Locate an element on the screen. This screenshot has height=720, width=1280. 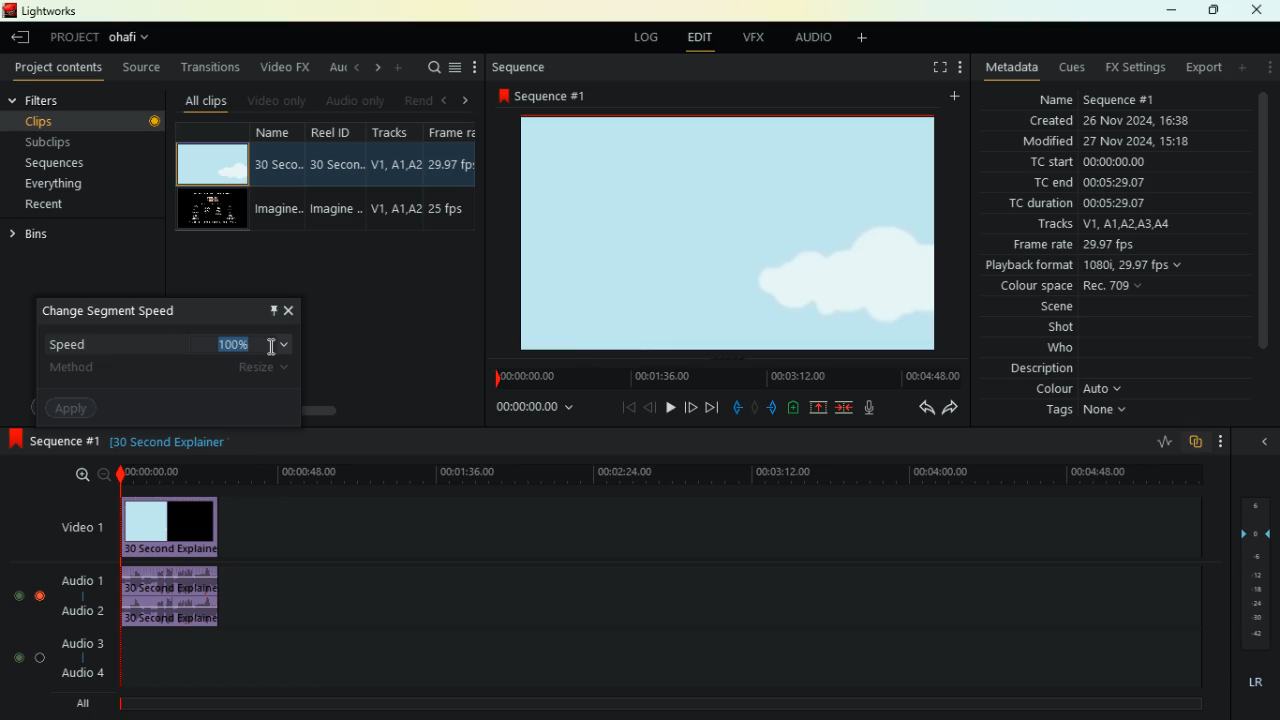
menu is located at coordinates (455, 69).